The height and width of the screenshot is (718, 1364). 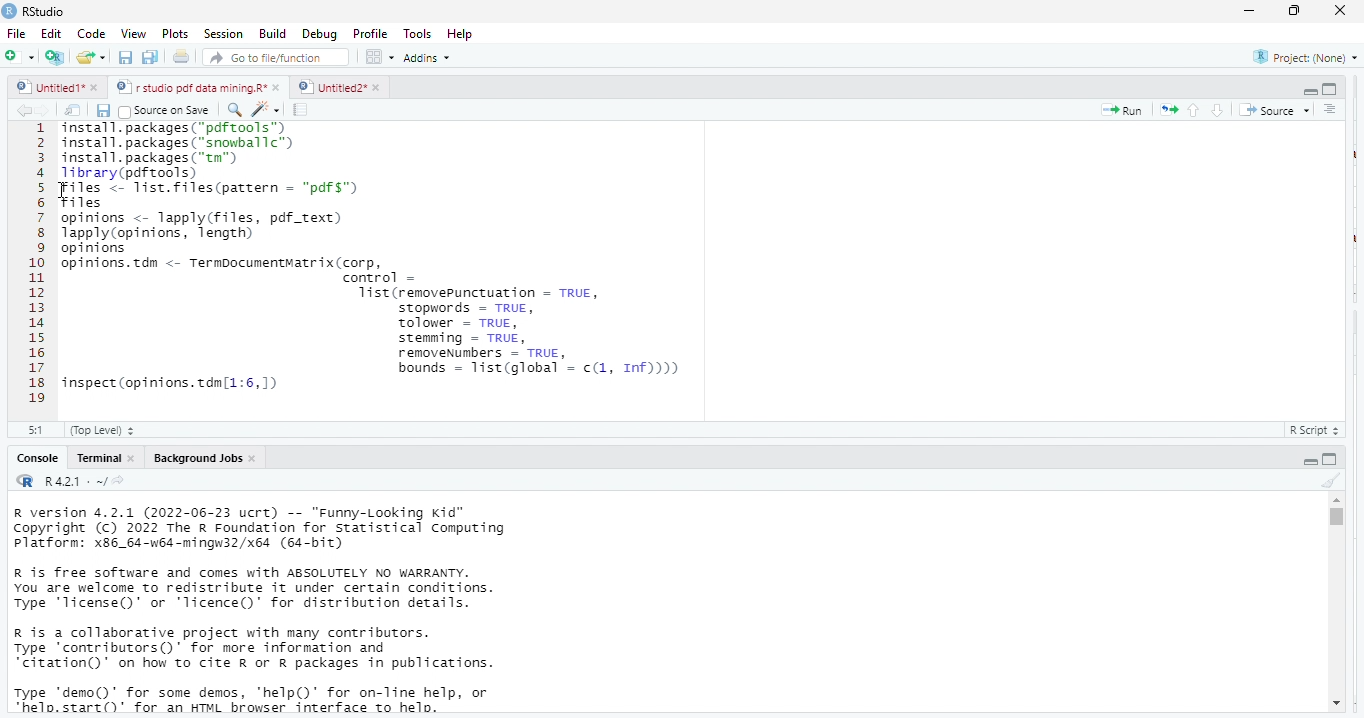 What do you see at coordinates (1330, 478) in the screenshot?
I see `clear console` at bounding box center [1330, 478].